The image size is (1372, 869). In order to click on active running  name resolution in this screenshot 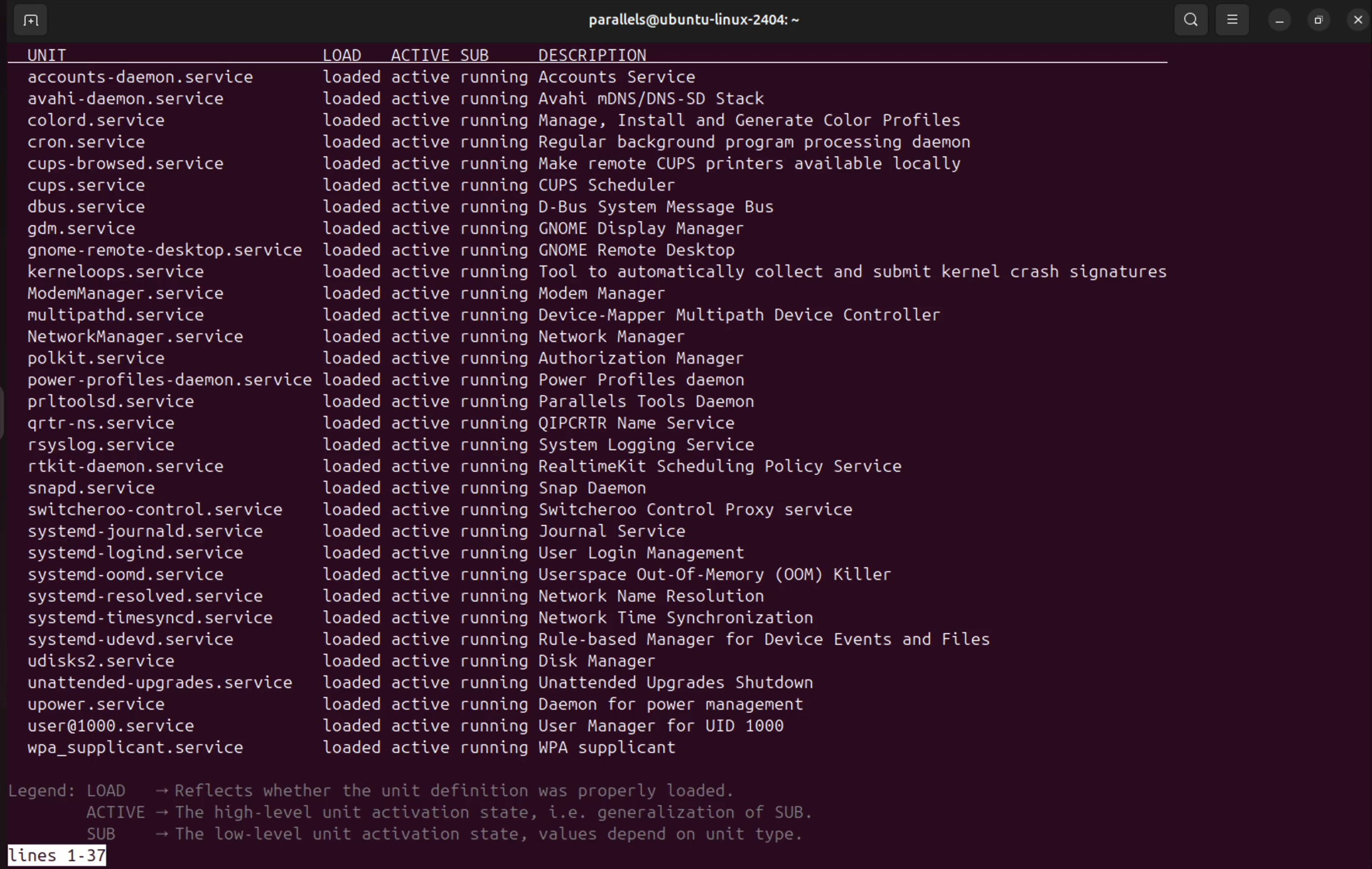, I will do `click(612, 598)`.